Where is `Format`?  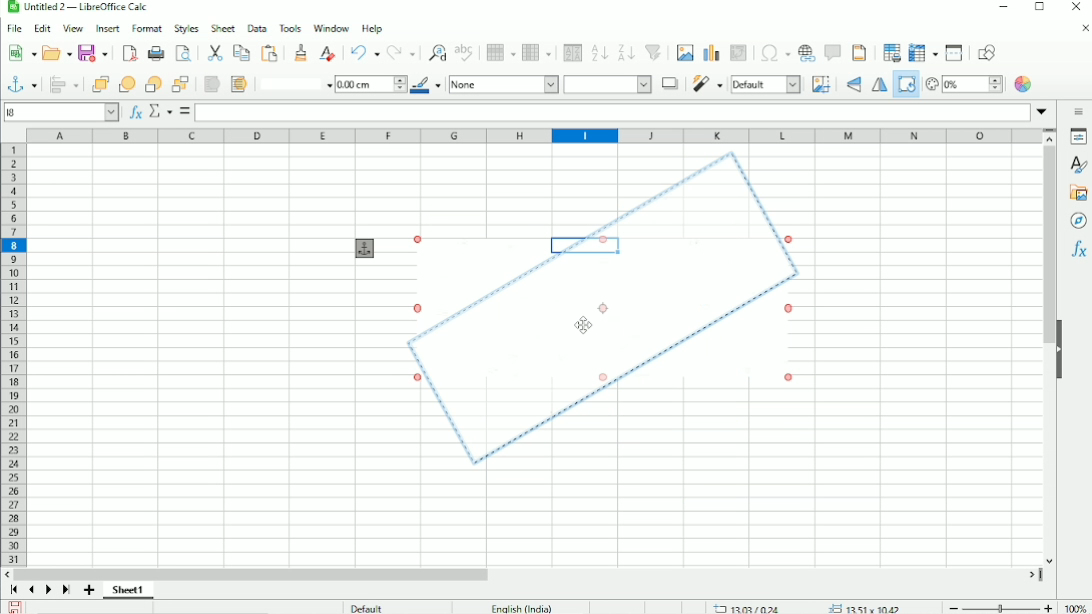 Format is located at coordinates (146, 28).